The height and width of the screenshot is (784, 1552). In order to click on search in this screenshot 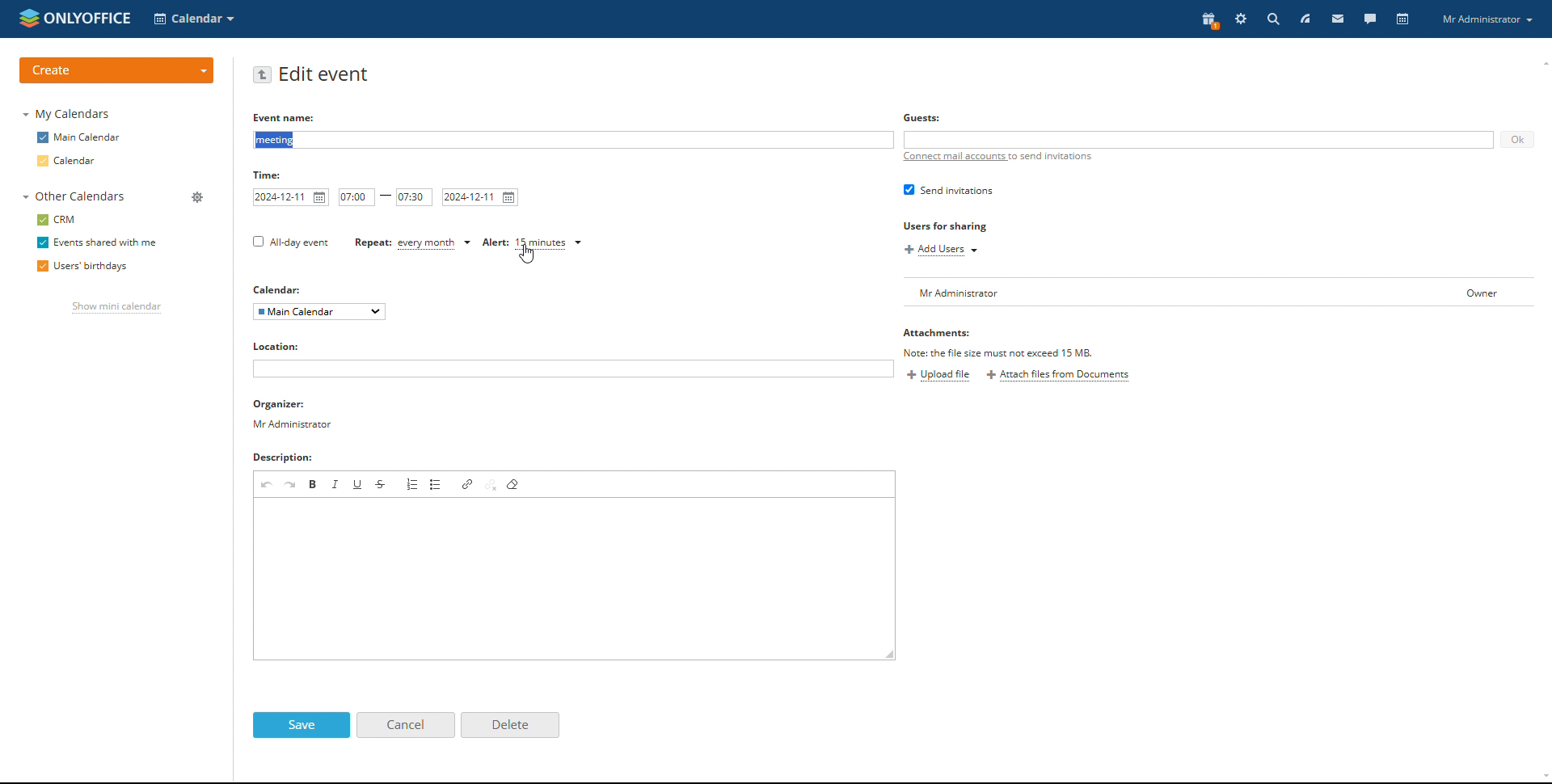, I will do `click(1272, 19)`.